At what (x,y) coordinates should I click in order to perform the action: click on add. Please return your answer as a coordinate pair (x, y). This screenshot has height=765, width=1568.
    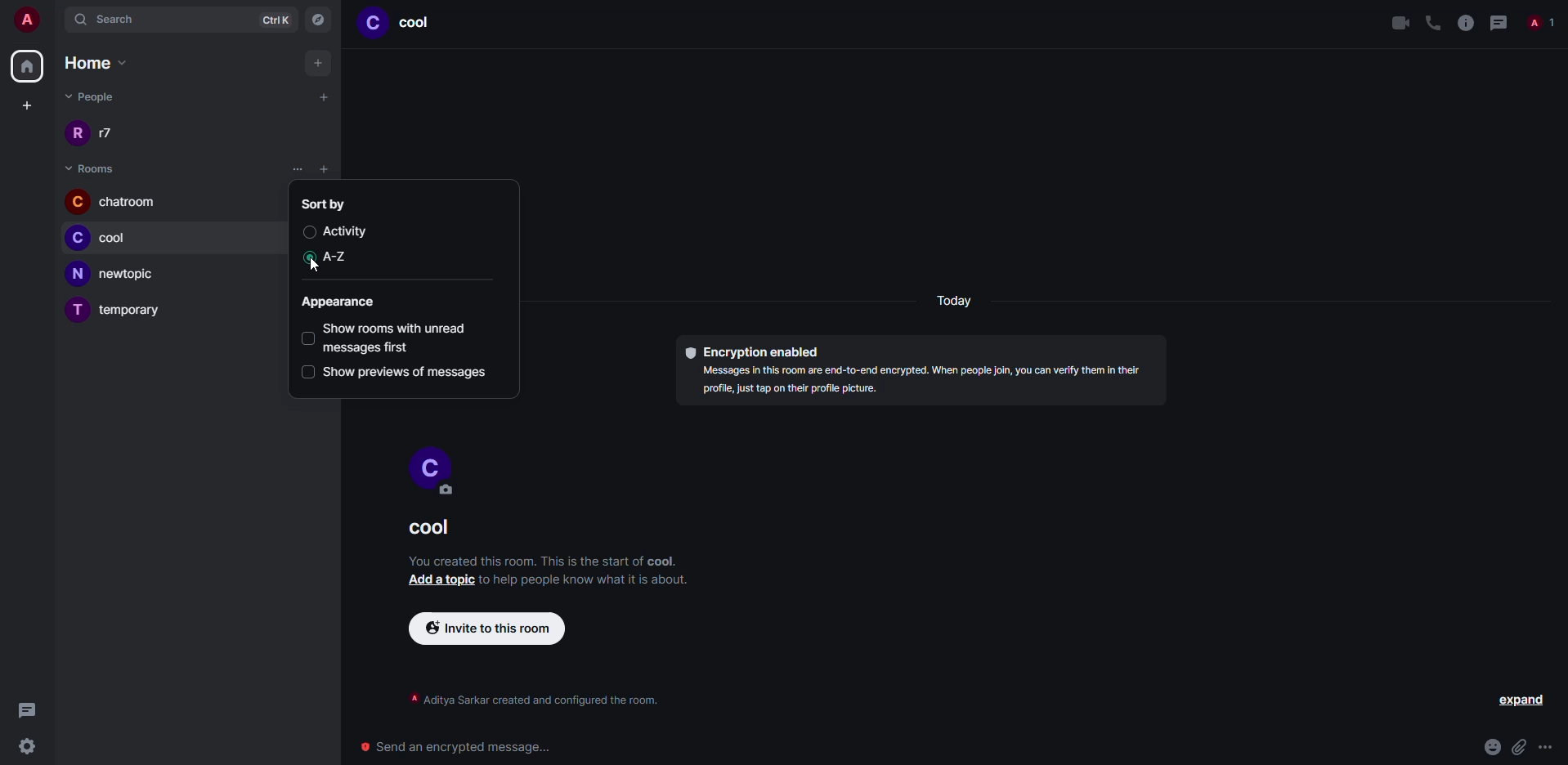
    Looking at the image, I should click on (318, 62).